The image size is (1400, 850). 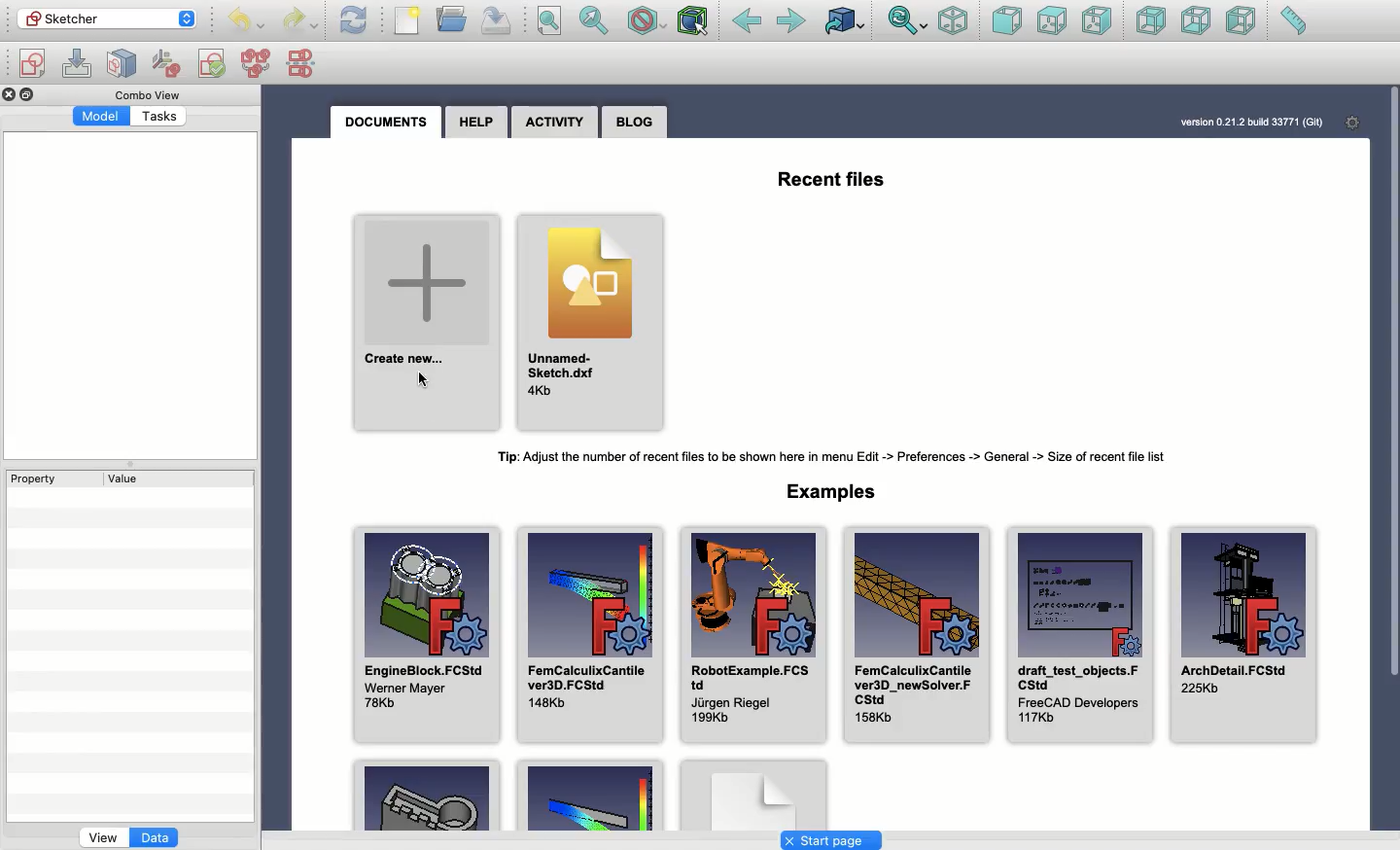 What do you see at coordinates (424, 382) in the screenshot?
I see `cursor` at bounding box center [424, 382].